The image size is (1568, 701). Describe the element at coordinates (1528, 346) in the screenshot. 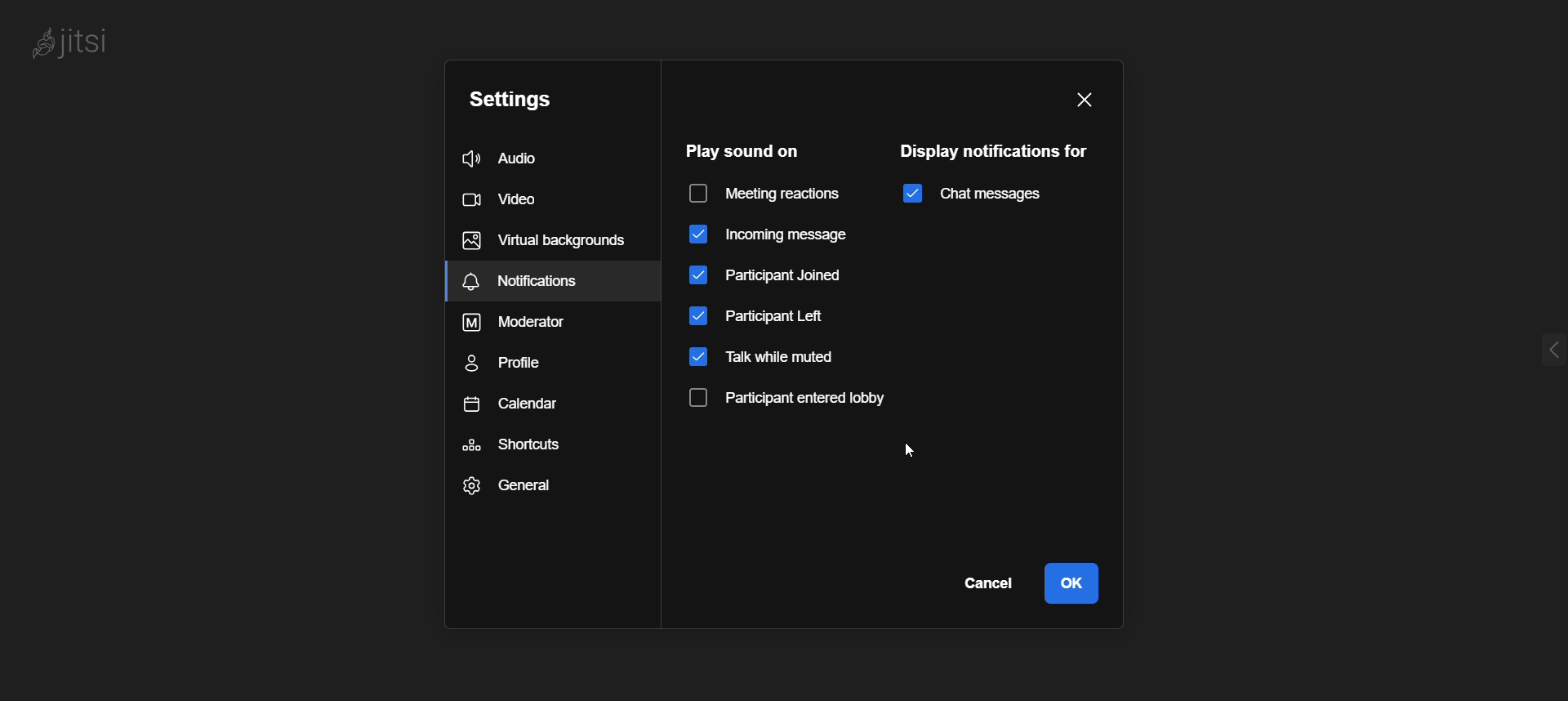

I see `expand` at that location.